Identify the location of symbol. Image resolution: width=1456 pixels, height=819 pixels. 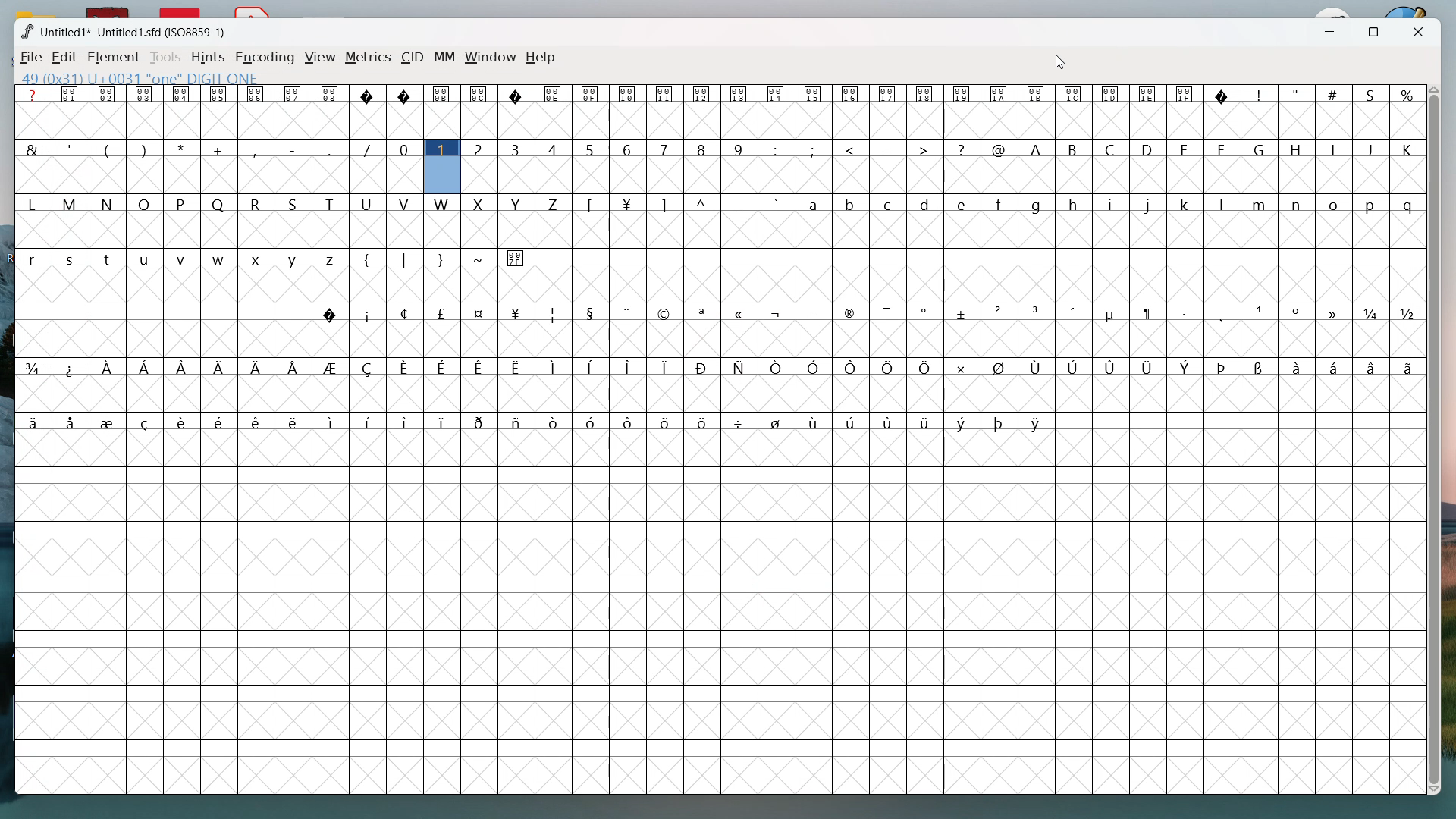
(702, 313).